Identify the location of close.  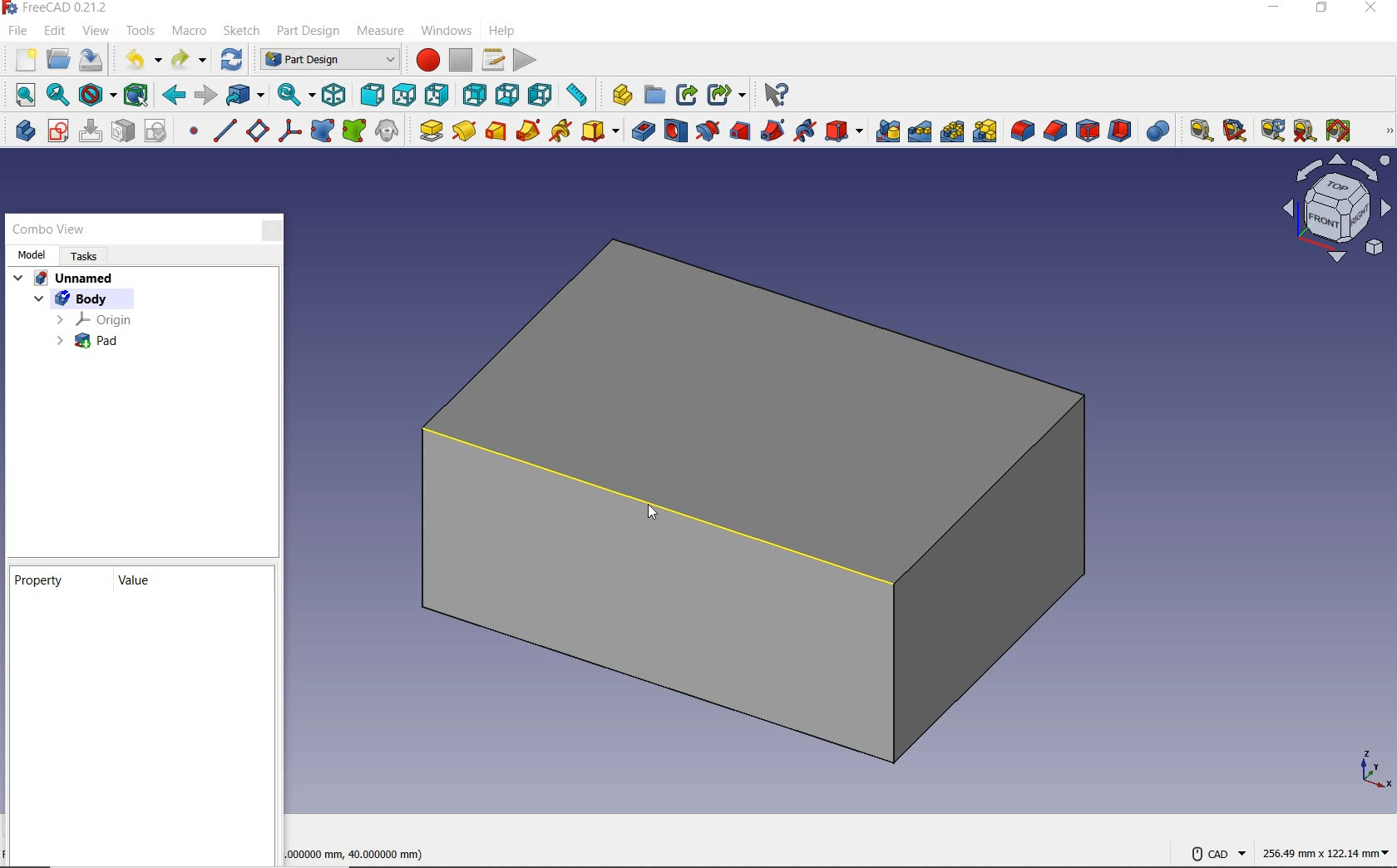
(264, 230).